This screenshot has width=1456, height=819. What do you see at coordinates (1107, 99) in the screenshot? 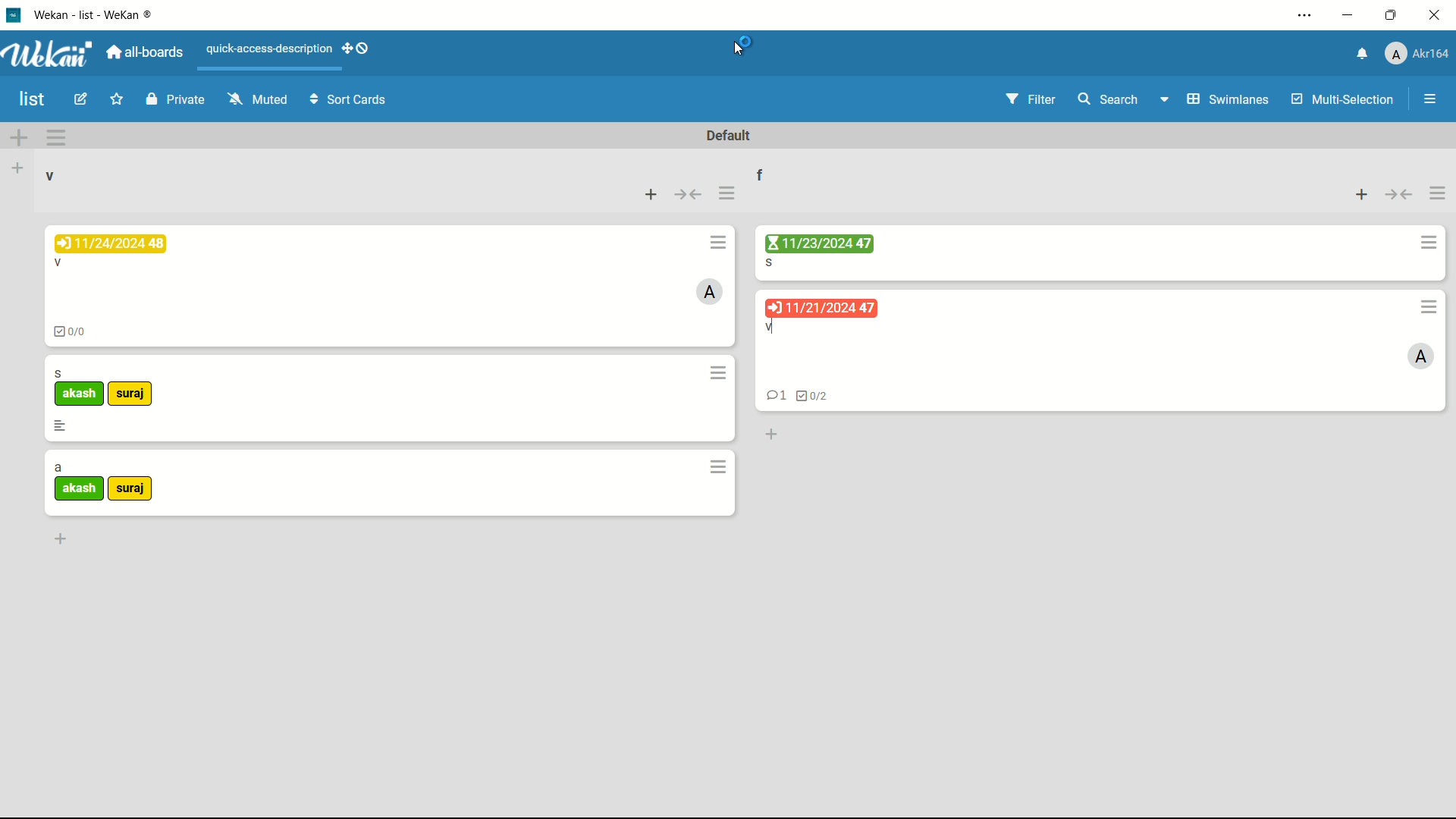
I see `search` at bounding box center [1107, 99].